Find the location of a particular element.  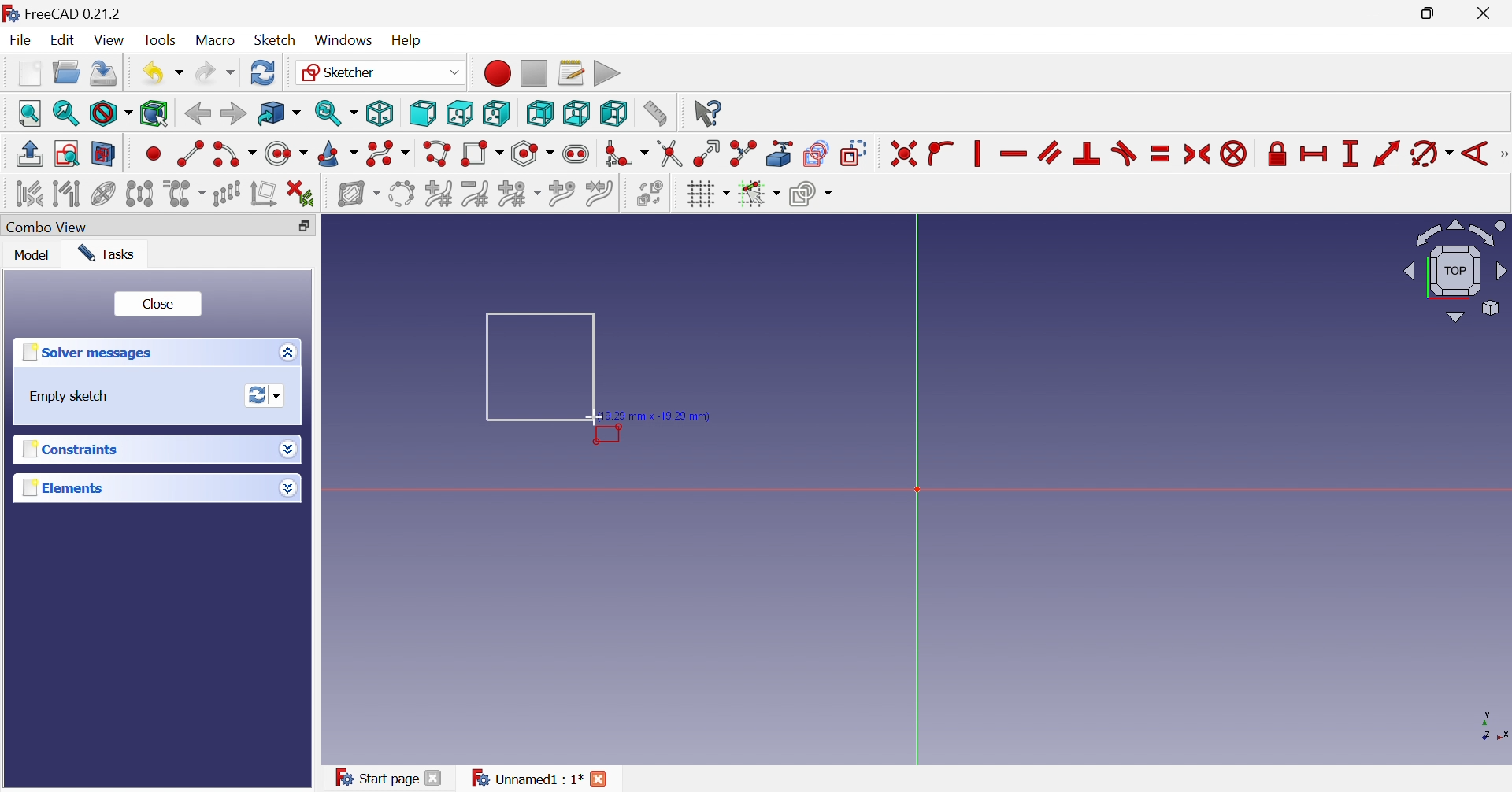

Windows is located at coordinates (343, 41).